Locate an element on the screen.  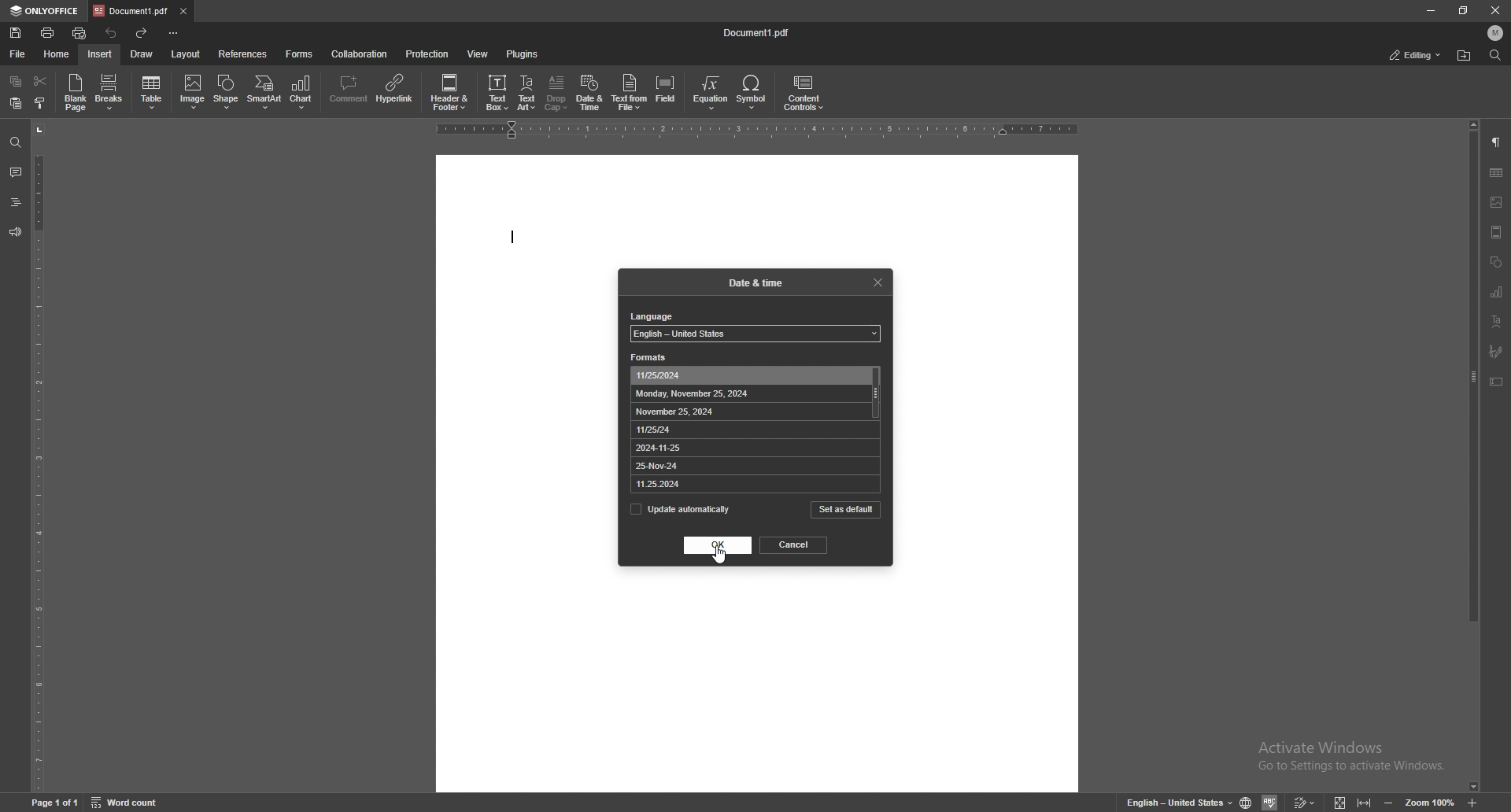
date format is located at coordinates (677, 430).